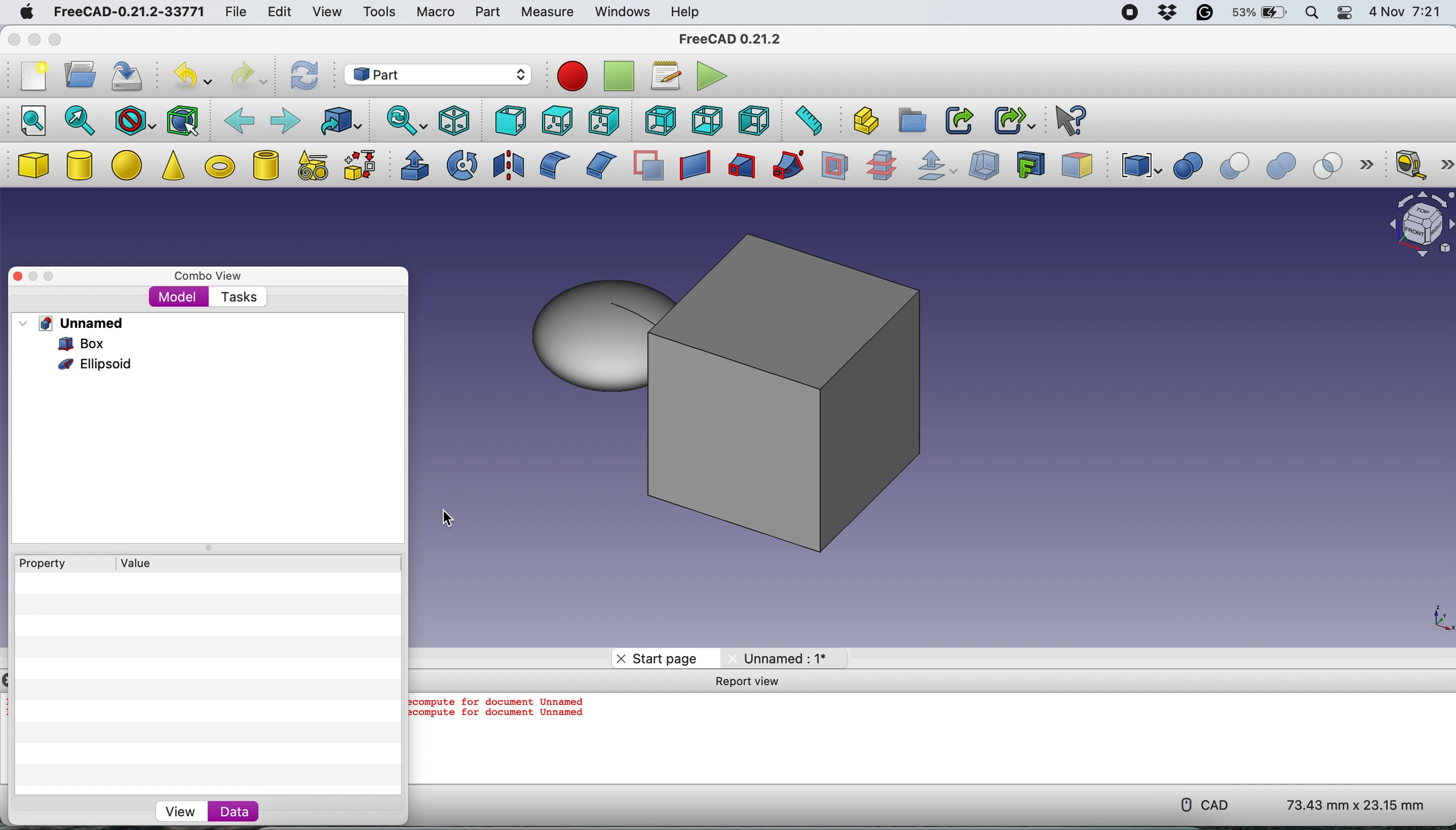  Describe the element at coordinates (779, 658) in the screenshot. I see `Unnamed: 1*` at that location.